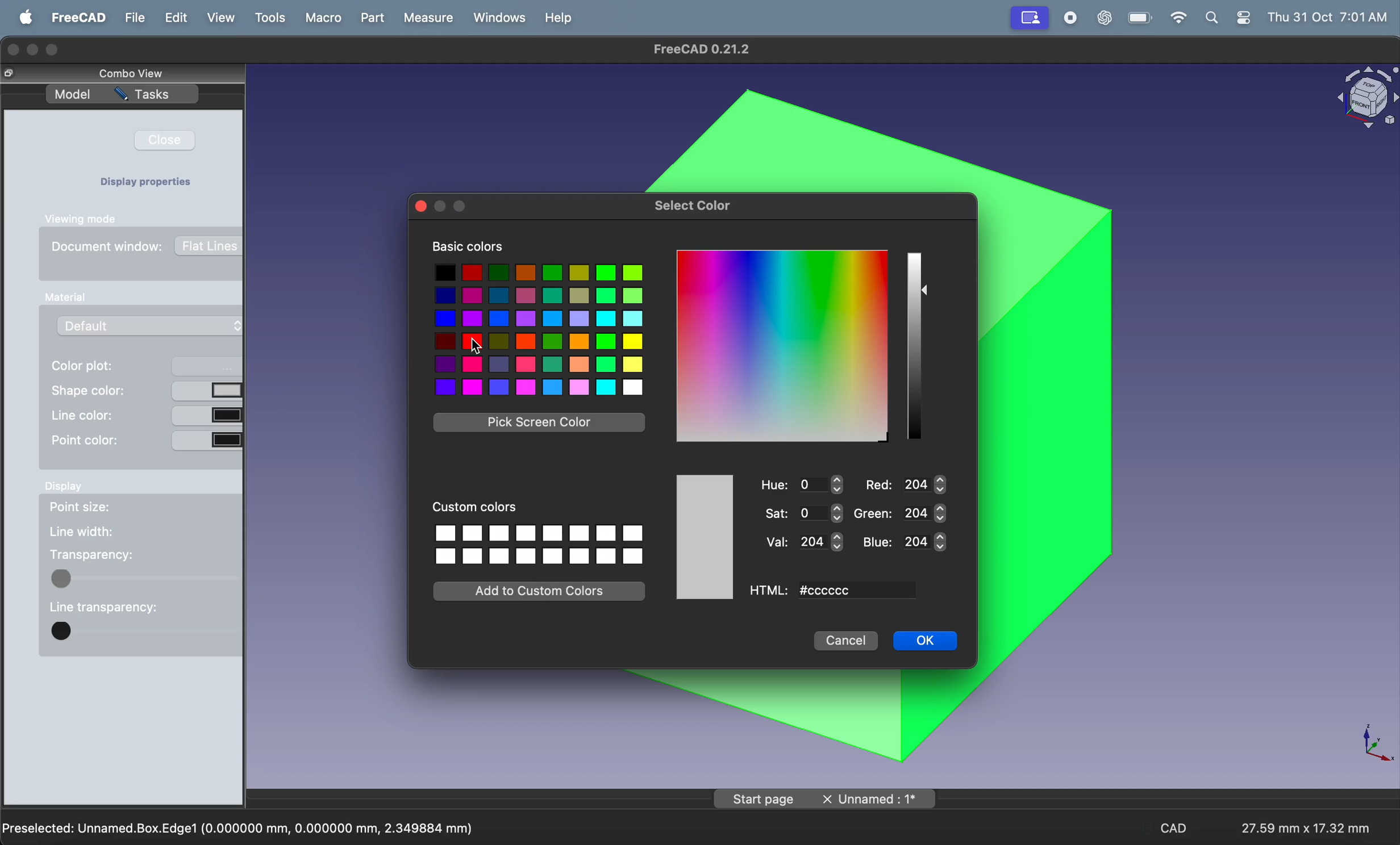  What do you see at coordinates (1030, 17) in the screenshot?
I see `mirror` at bounding box center [1030, 17].